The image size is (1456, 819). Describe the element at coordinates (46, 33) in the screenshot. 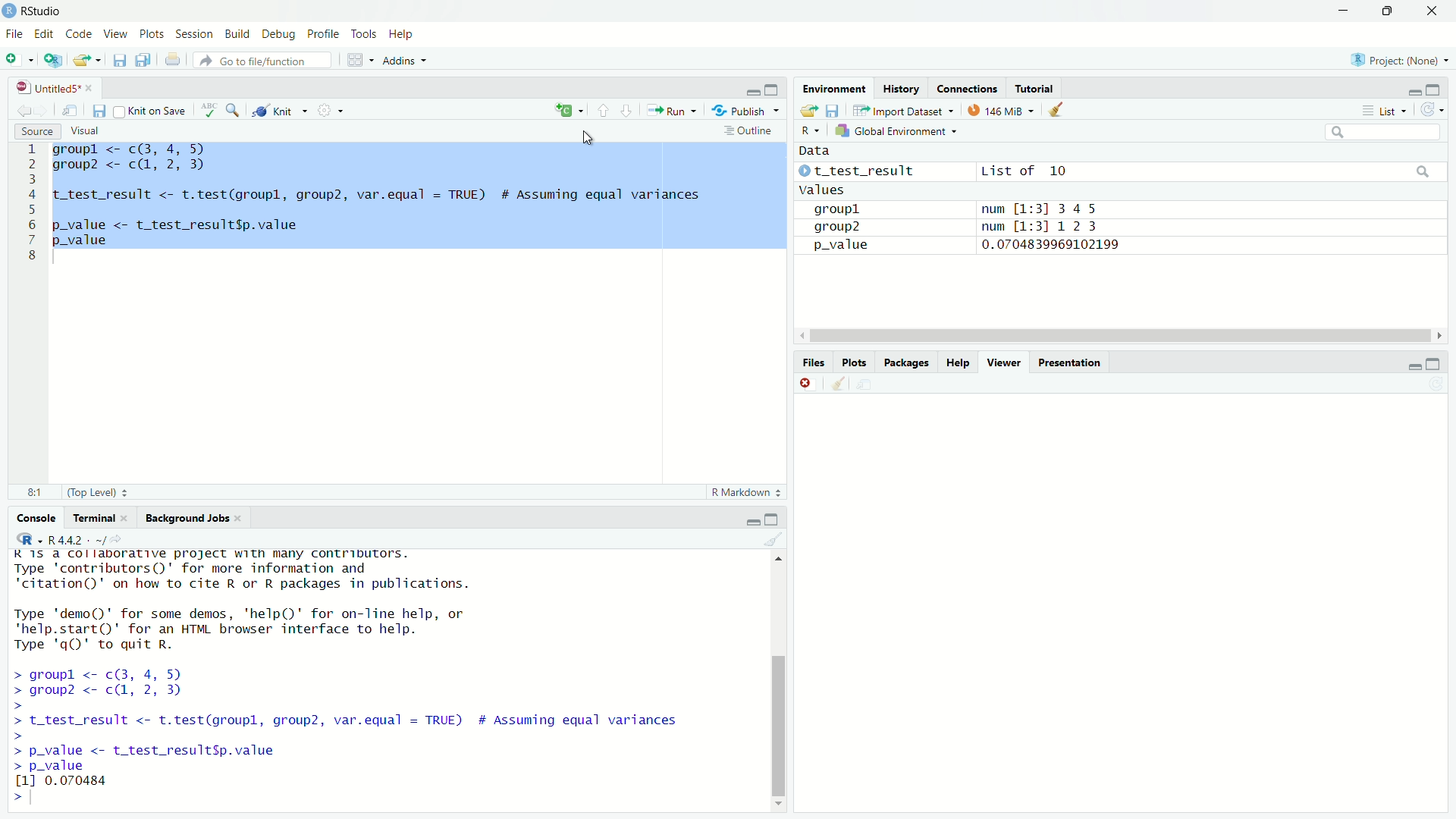

I see `Edit` at that location.